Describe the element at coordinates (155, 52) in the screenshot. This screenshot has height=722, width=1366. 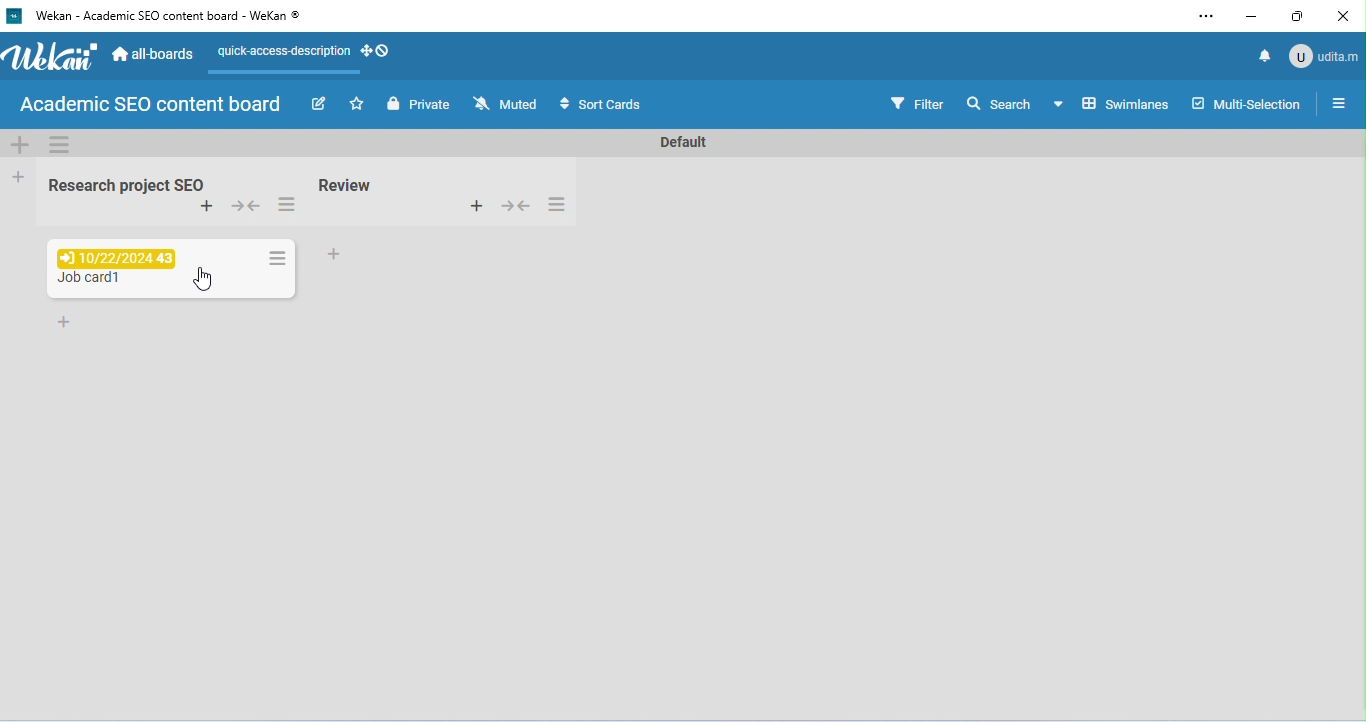
I see `all boards` at that location.